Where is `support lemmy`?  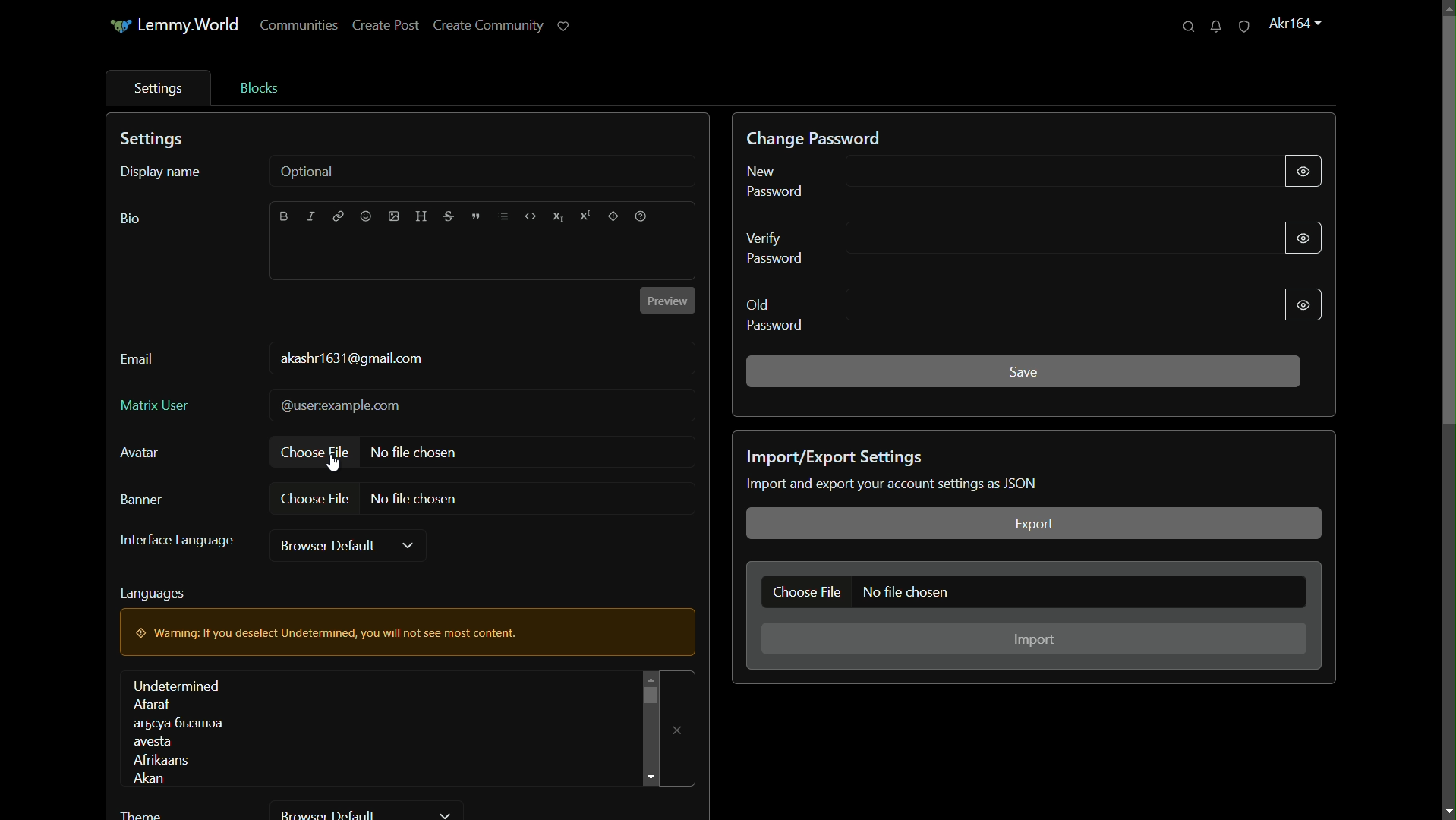
support lemmy is located at coordinates (564, 27).